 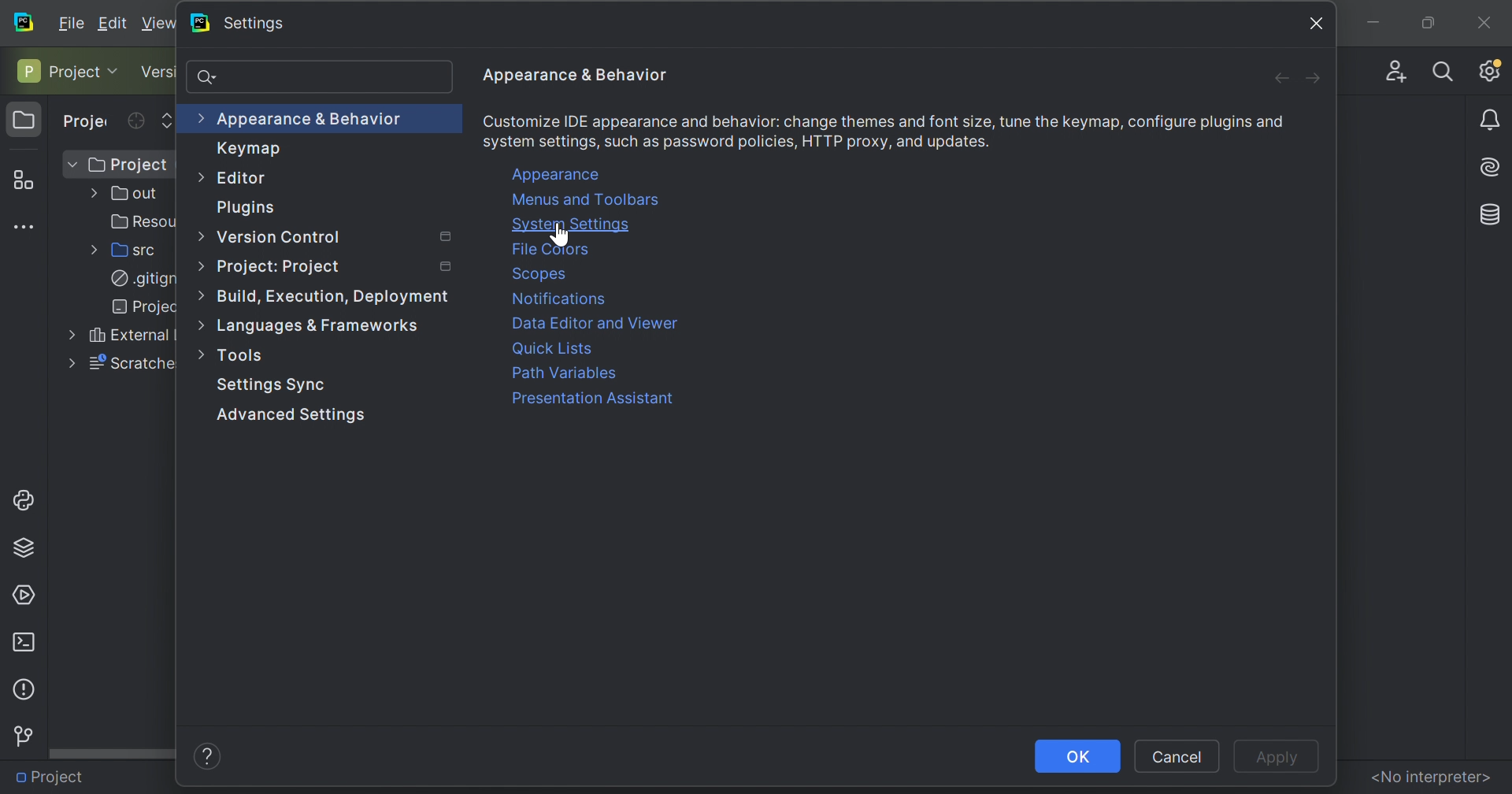 What do you see at coordinates (1484, 19) in the screenshot?
I see `Close` at bounding box center [1484, 19].